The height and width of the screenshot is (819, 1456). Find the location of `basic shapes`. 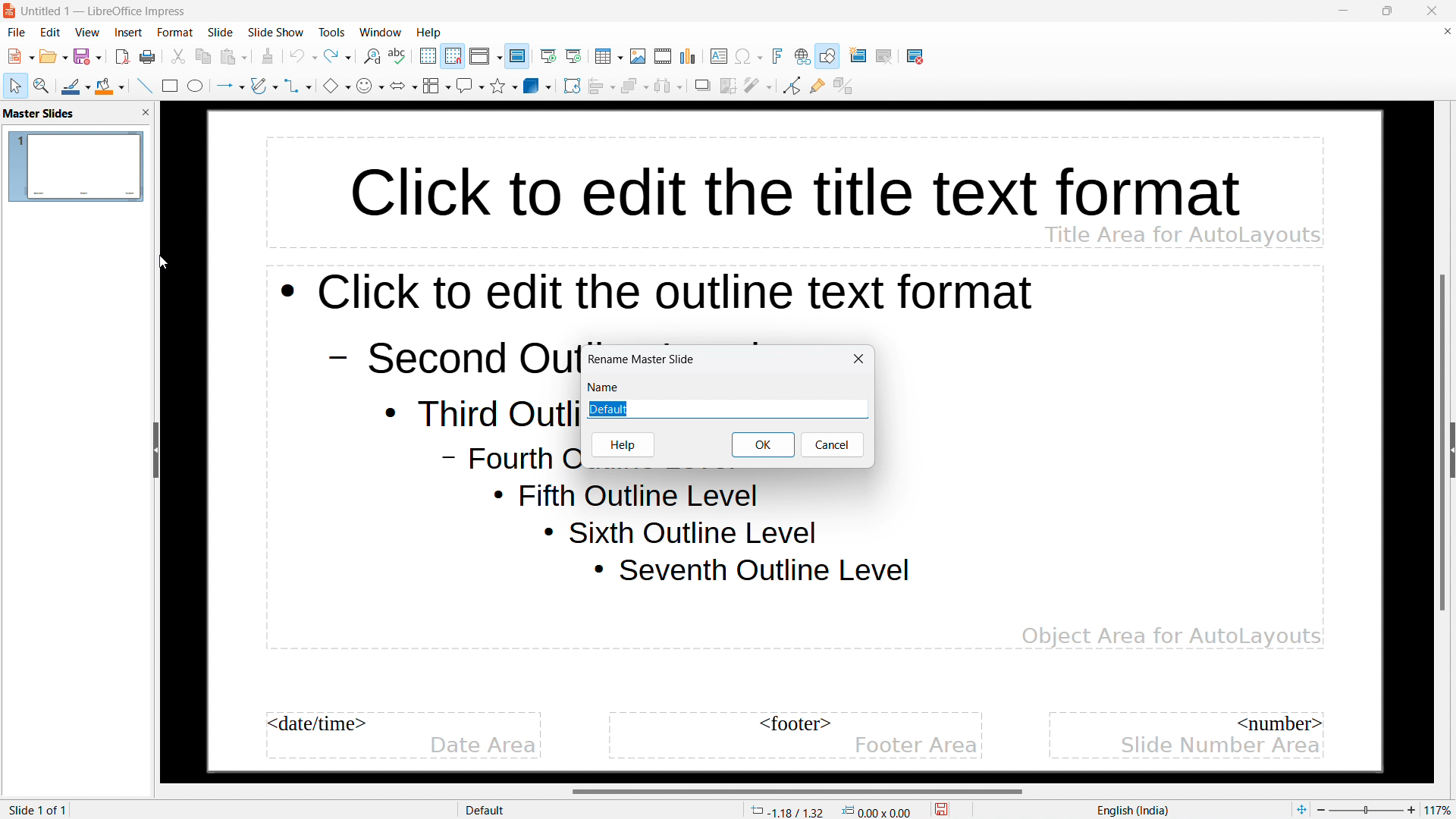

basic shapes is located at coordinates (337, 85).